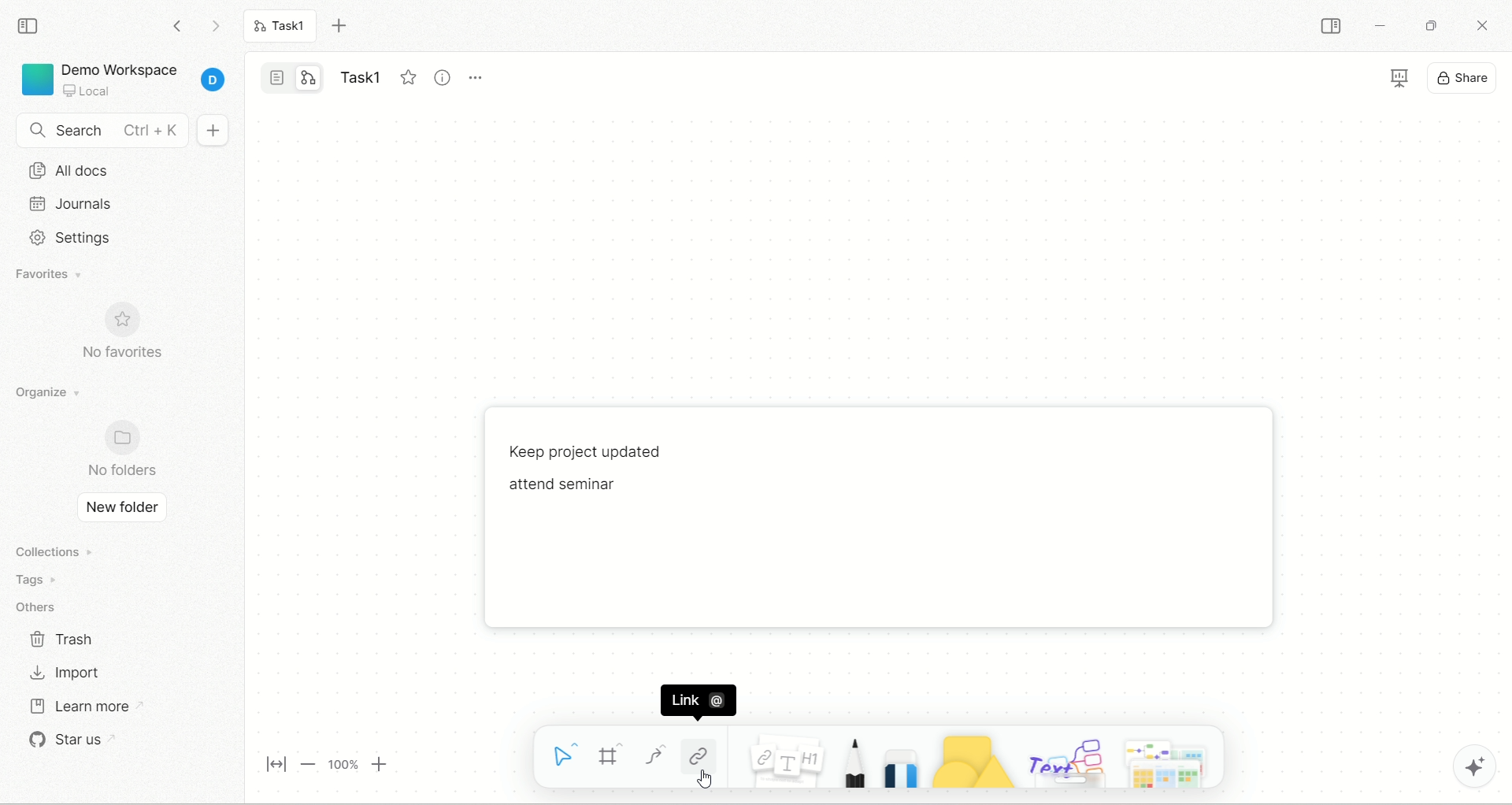  What do you see at coordinates (628, 477) in the screenshot?
I see `text - Keep project updated attend seminar` at bounding box center [628, 477].